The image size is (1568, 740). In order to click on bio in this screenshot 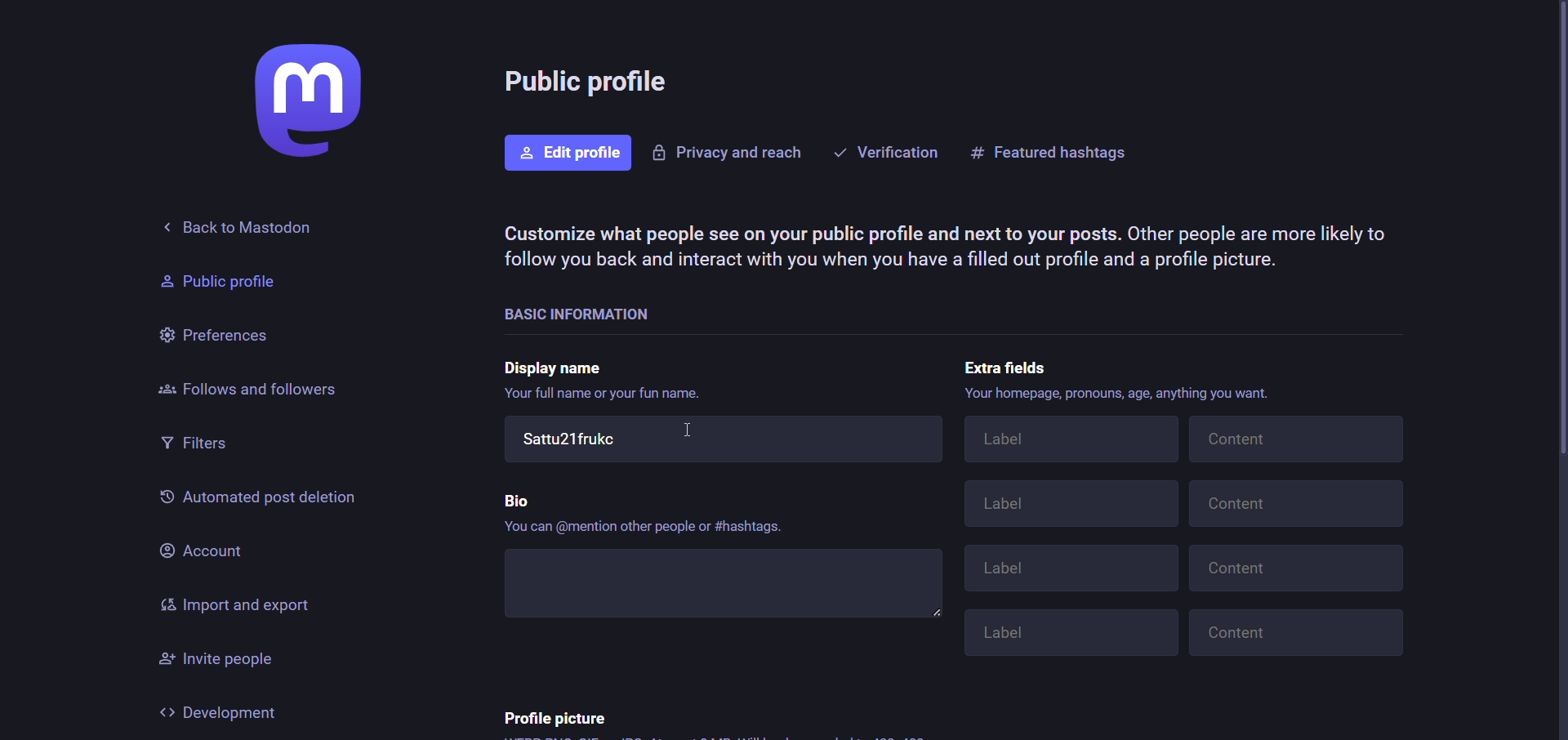, I will do `click(515, 499)`.